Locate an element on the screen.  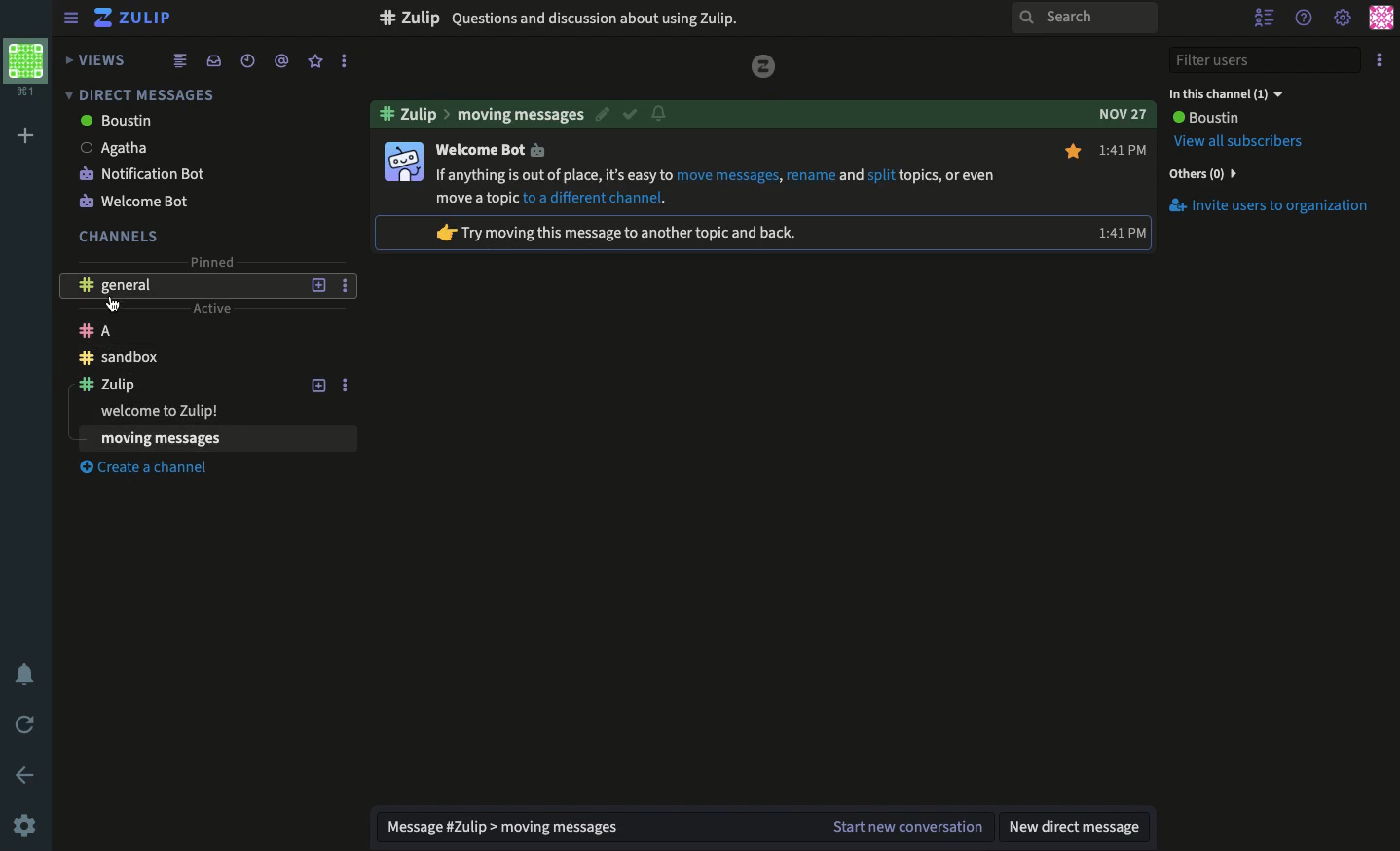
welcome bot is located at coordinates (490, 149).